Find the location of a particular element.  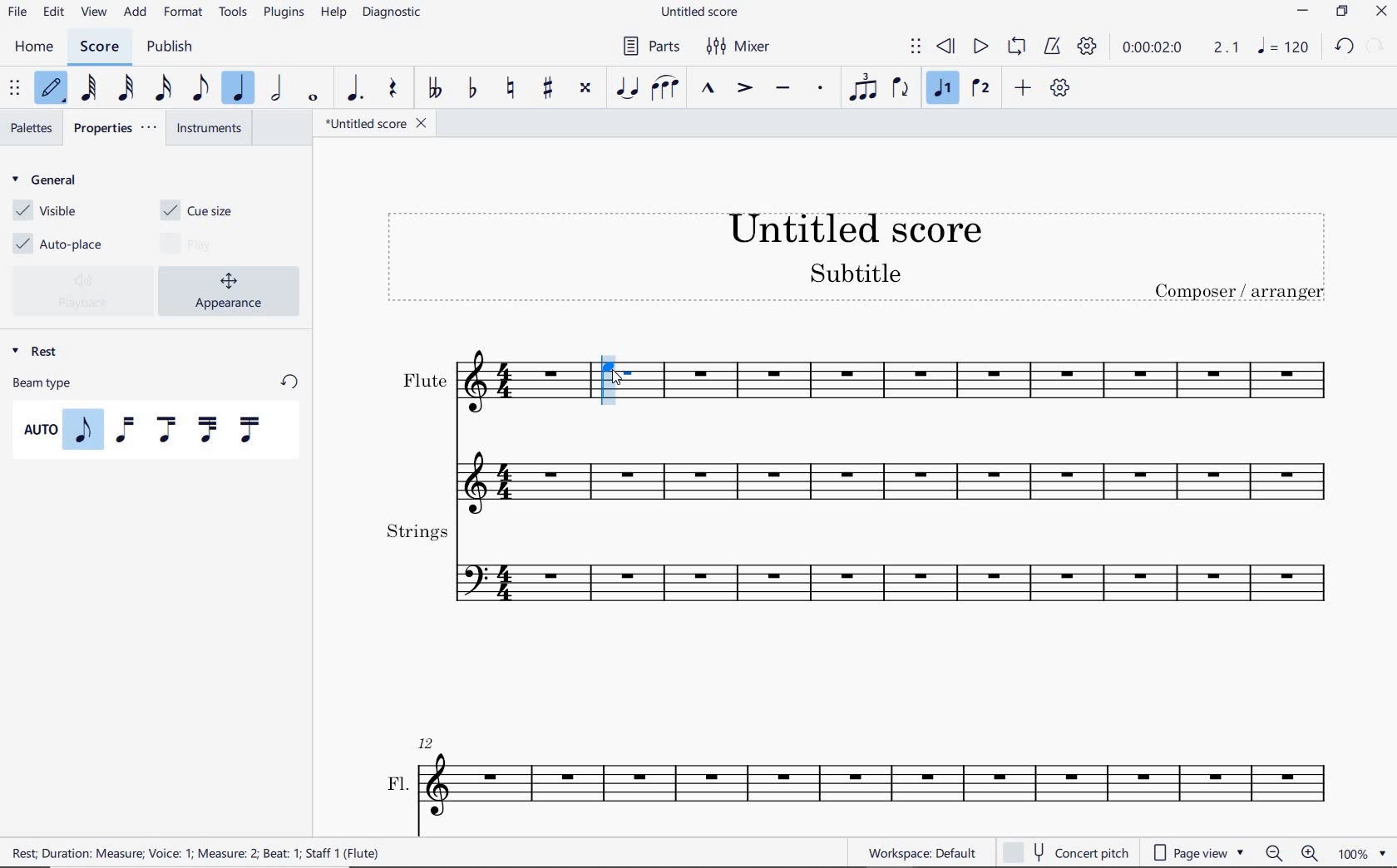

PLAY is located at coordinates (977, 47).